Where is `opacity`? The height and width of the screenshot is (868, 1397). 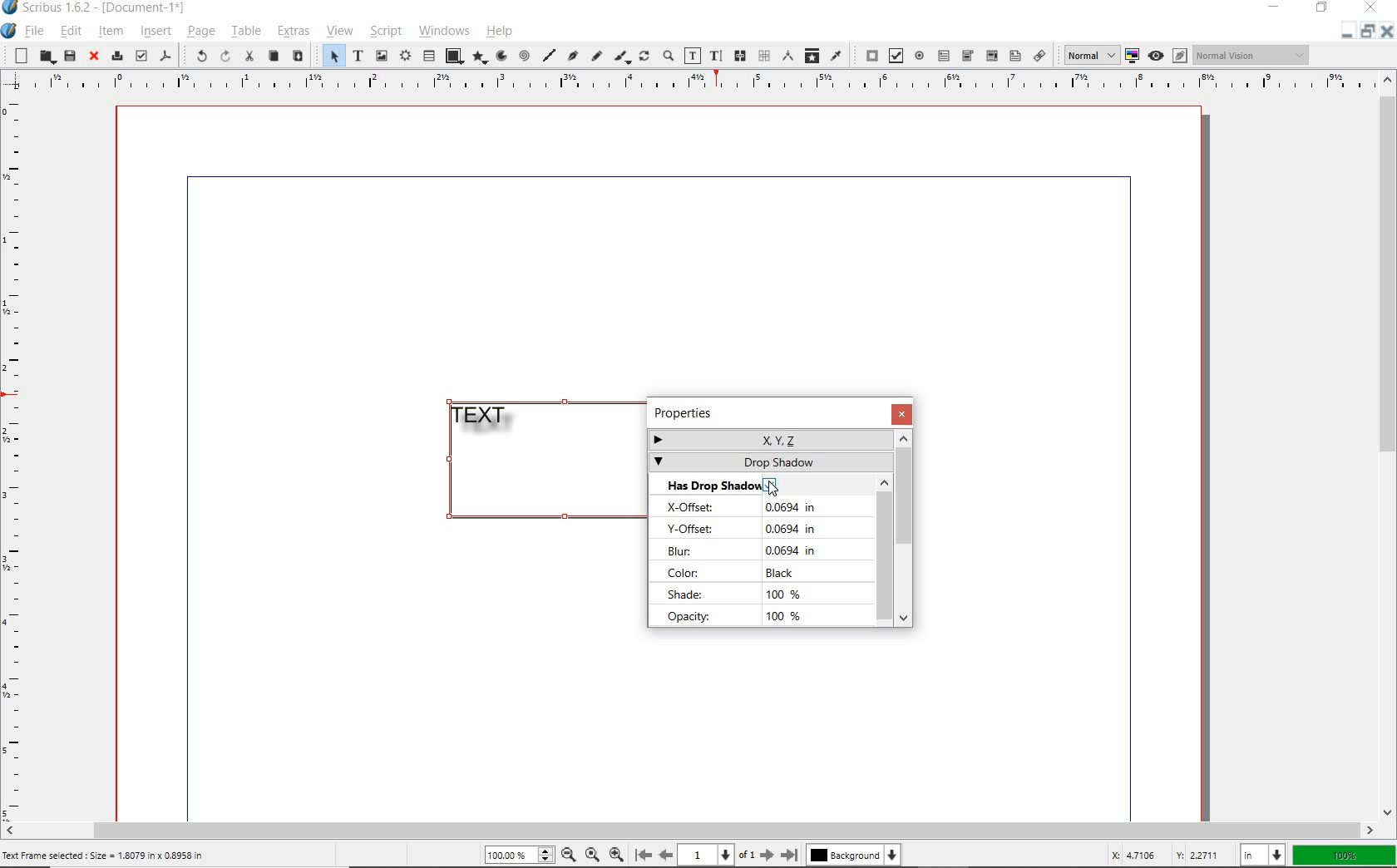 opacity is located at coordinates (741, 617).